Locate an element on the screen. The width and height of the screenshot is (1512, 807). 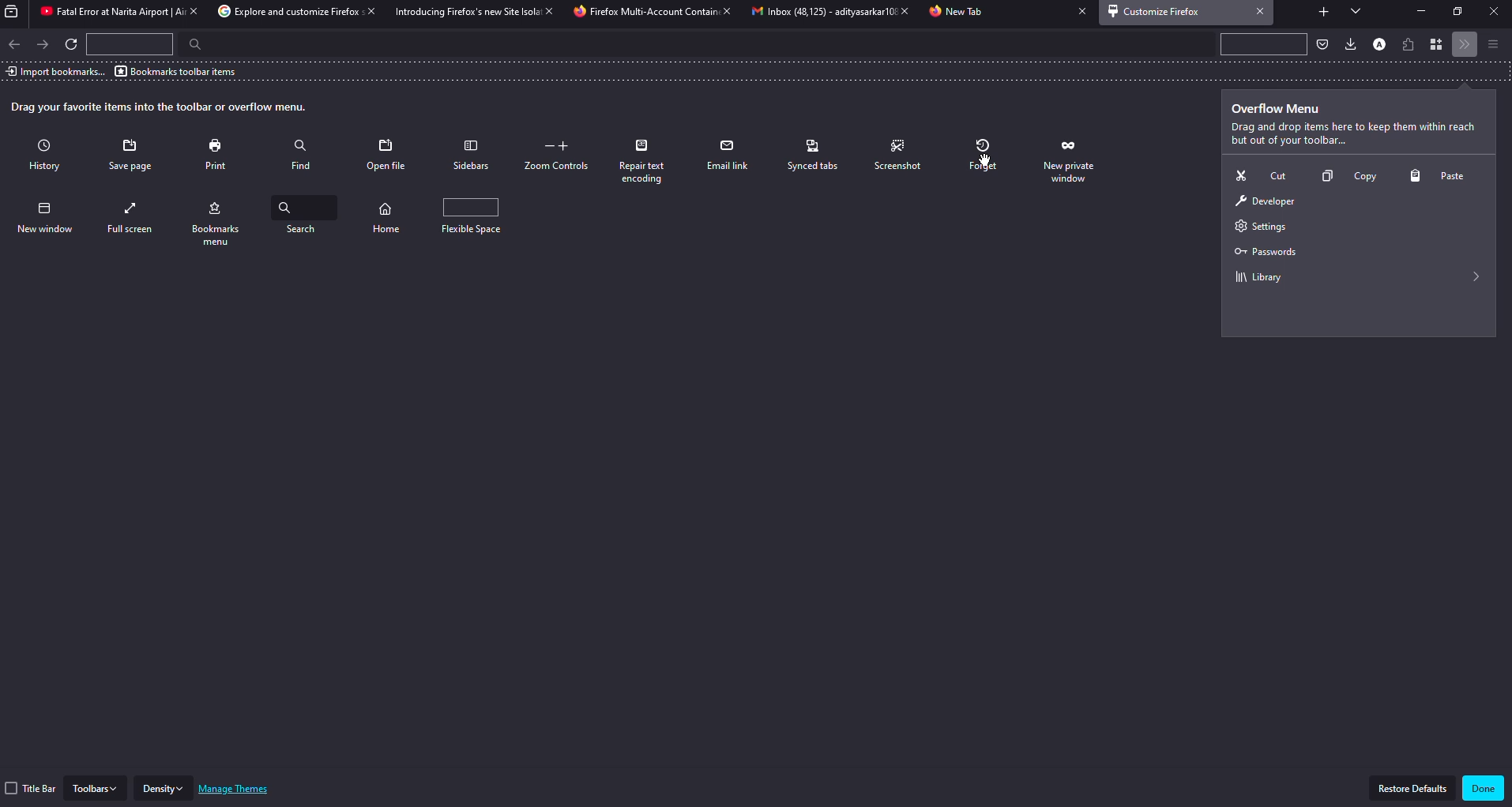
restore defaults is located at coordinates (1413, 788).